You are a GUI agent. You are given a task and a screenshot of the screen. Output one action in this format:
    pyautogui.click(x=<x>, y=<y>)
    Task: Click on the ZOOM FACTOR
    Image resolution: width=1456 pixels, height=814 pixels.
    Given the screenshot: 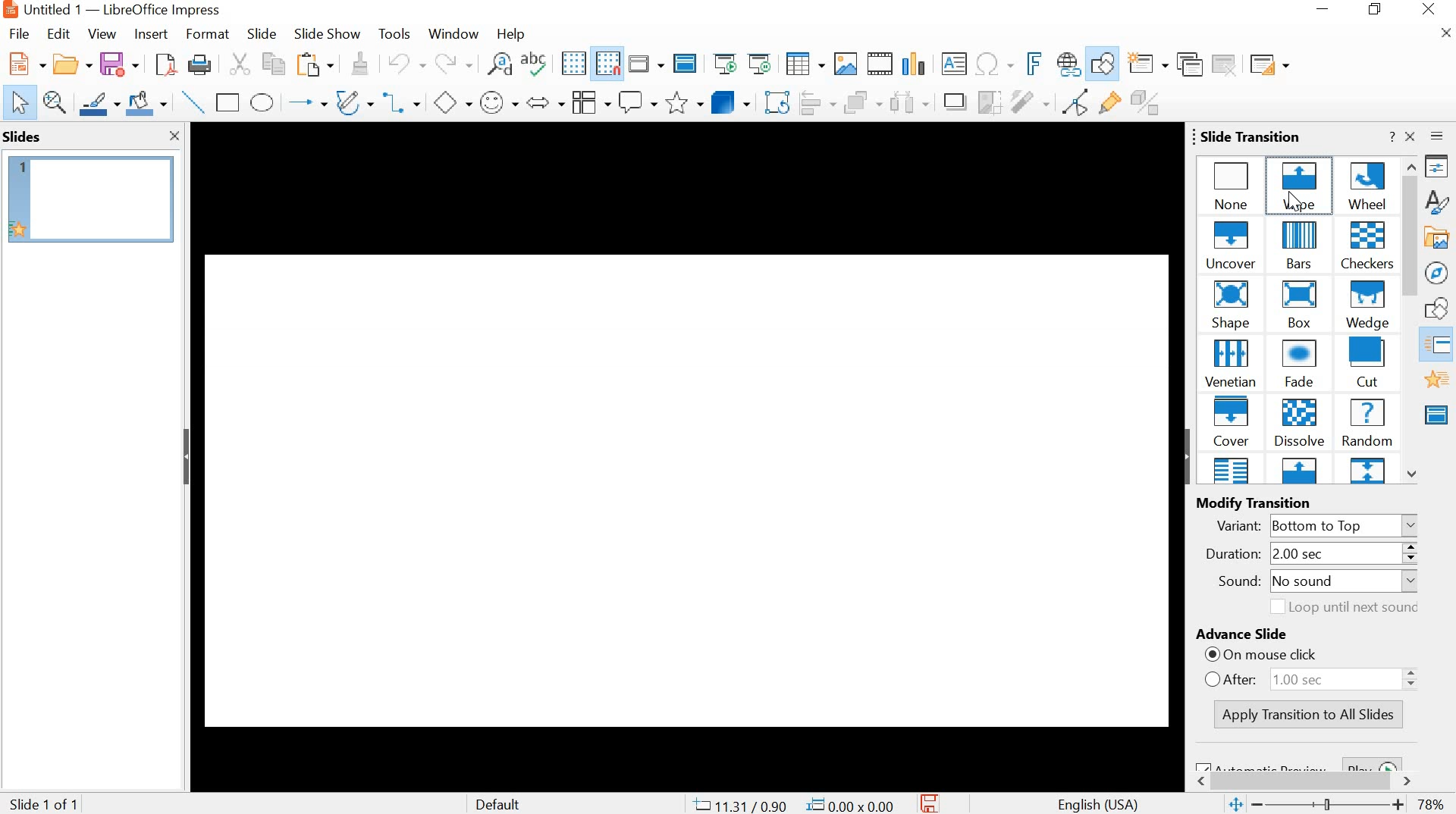 What is the action you would take?
    pyautogui.click(x=1432, y=806)
    